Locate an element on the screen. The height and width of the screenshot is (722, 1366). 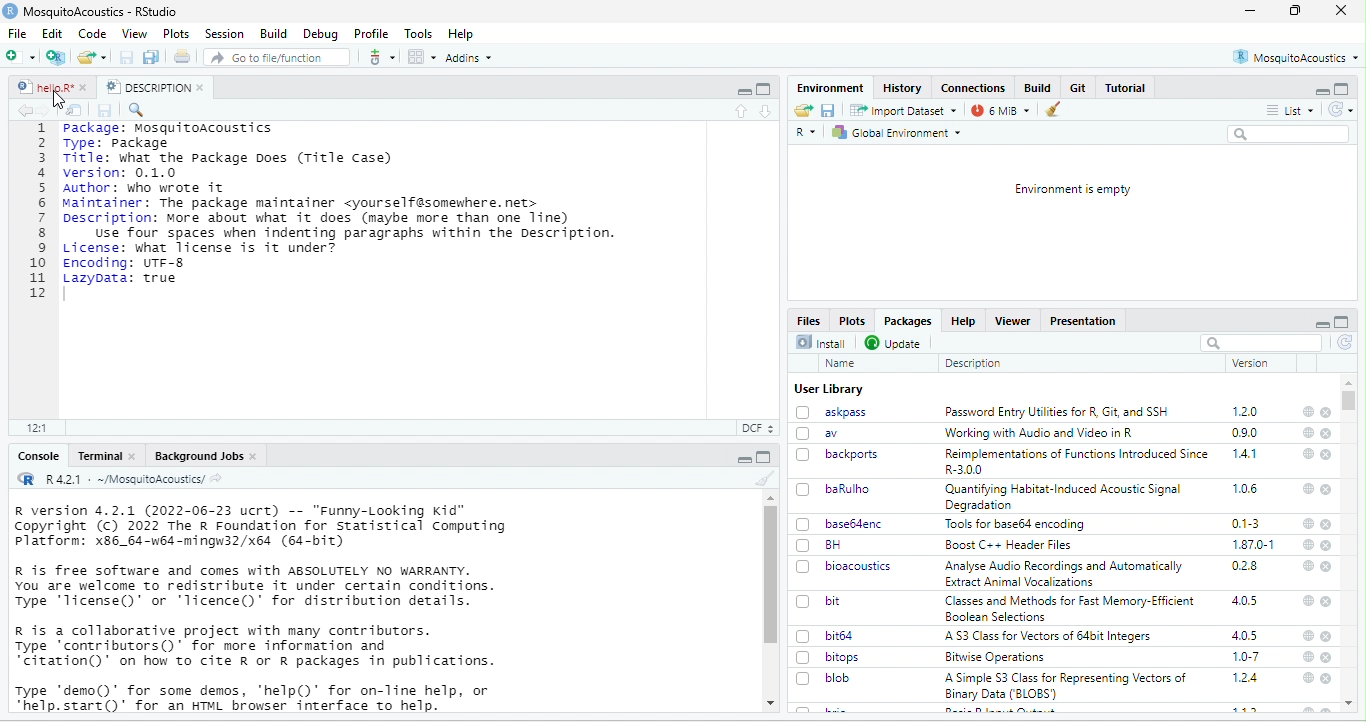
help is located at coordinates (1306, 434).